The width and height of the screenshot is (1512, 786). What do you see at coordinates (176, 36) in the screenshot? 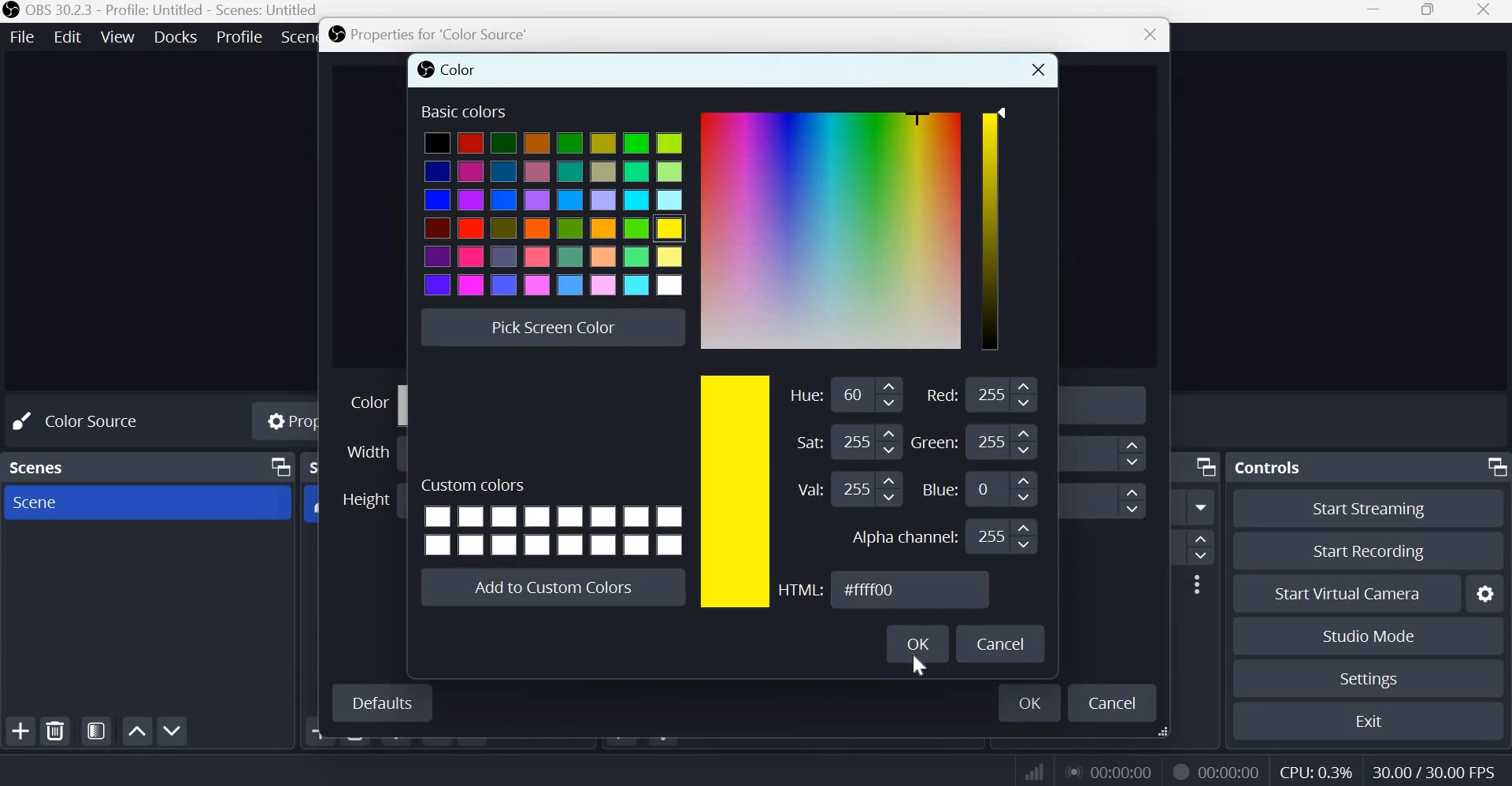
I see `Docks` at bounding box center [176, 36].